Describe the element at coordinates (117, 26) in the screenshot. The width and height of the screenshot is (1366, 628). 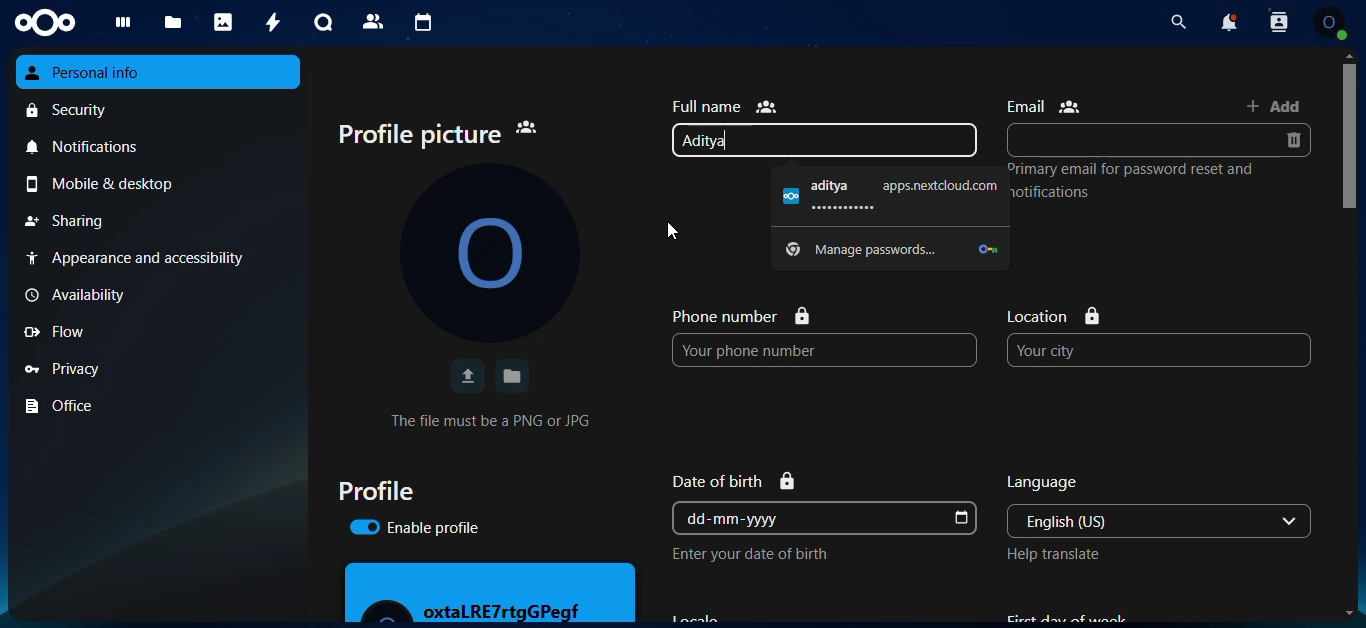
I see `dashboard` at that location.